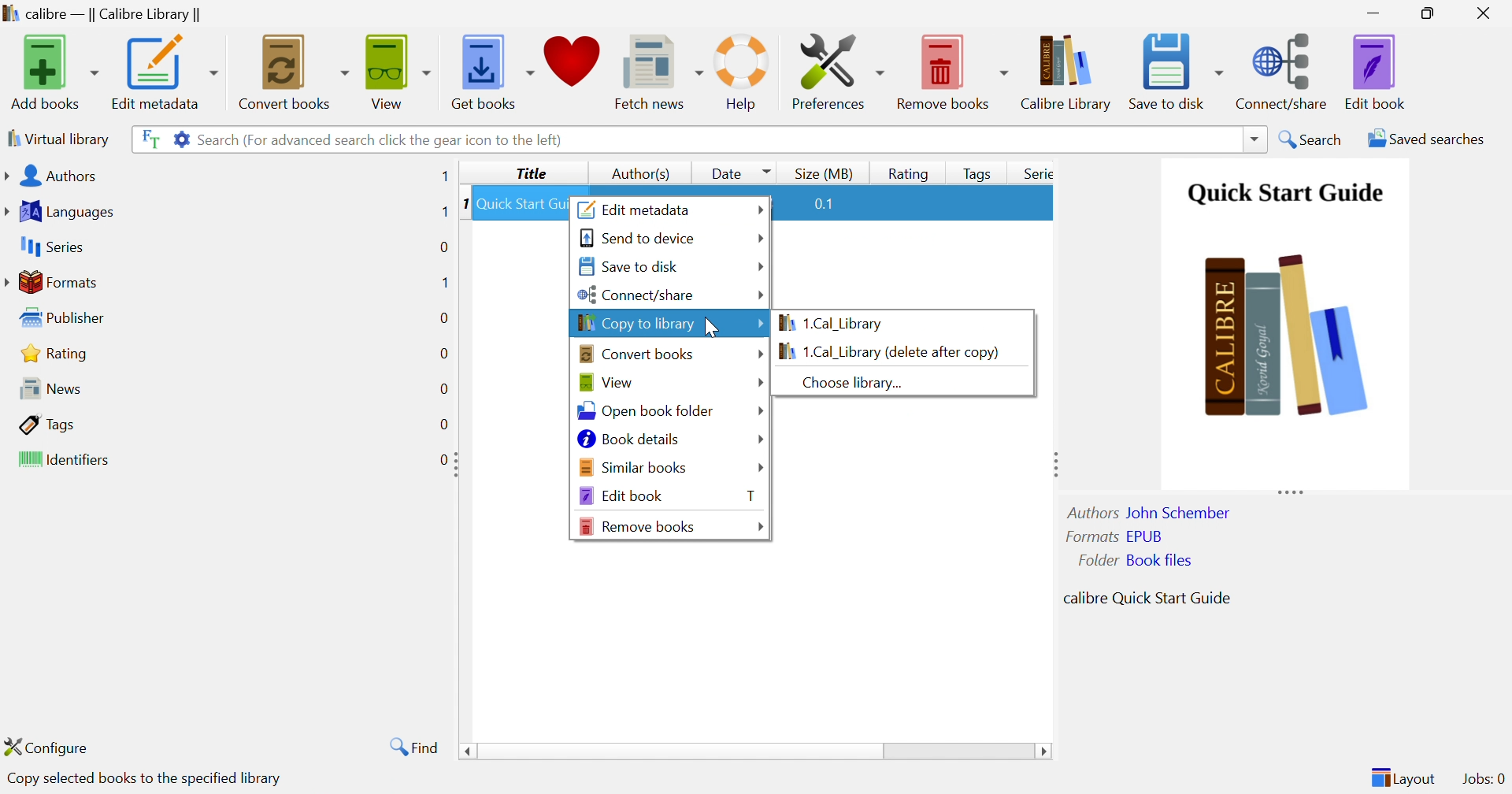  What do you see at coordinates (465, 752) in the screenshot?
I see `Scroll Left` at bounding box center [465, 752].